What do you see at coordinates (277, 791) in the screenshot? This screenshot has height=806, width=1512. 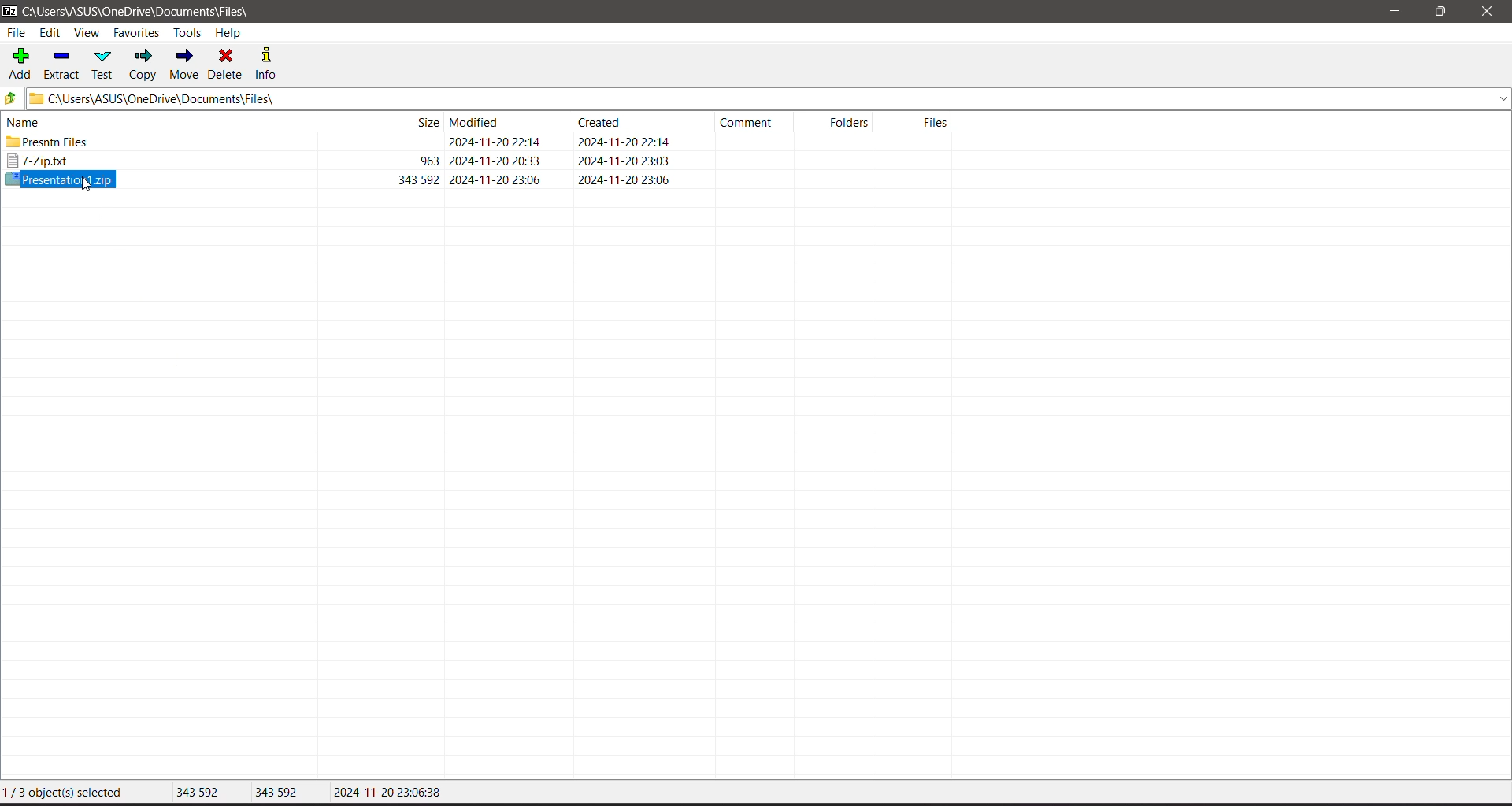 I see `343592` at bounding box center [277, 791].